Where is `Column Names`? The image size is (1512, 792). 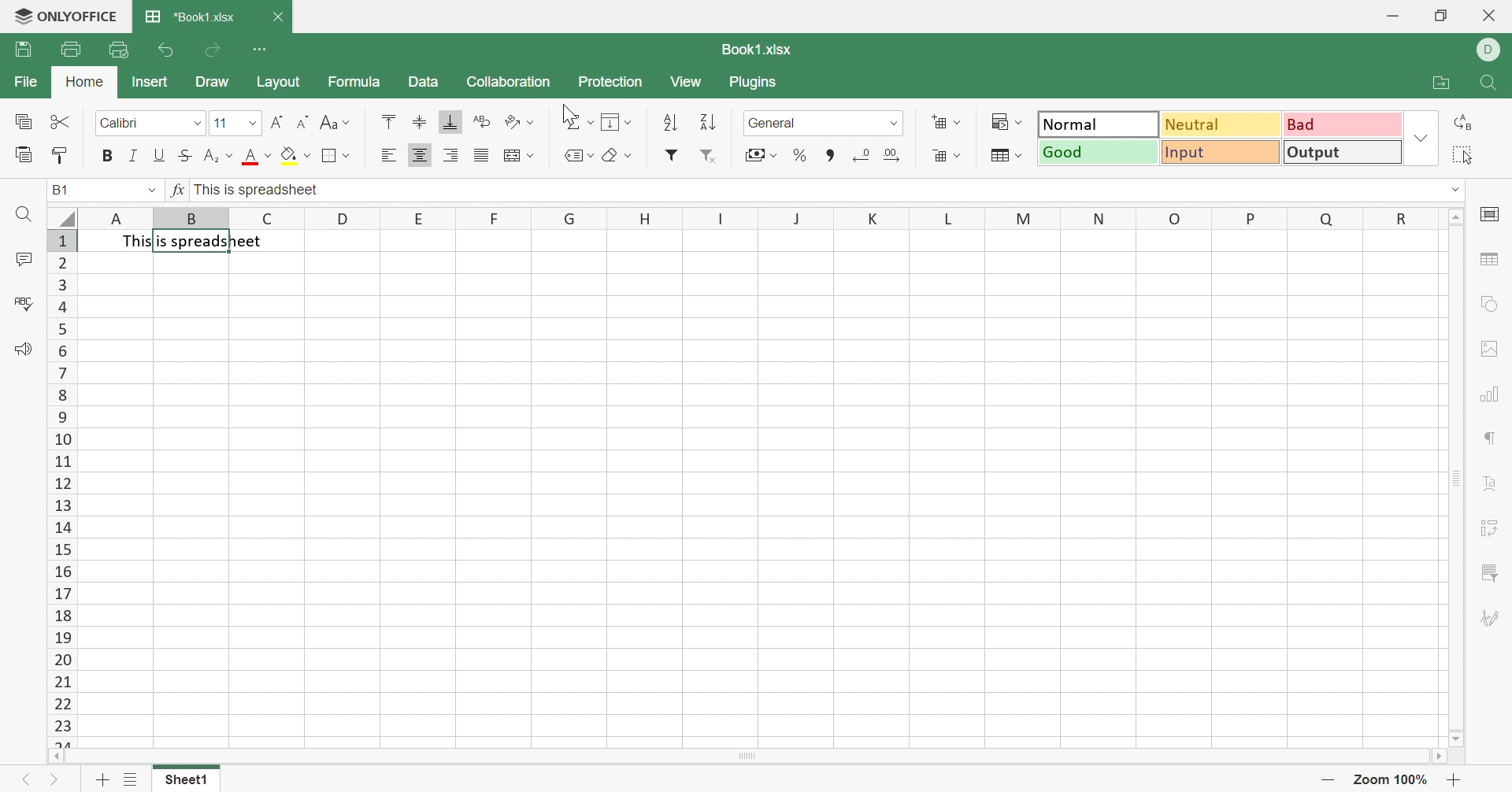 Column Names is located at coordinates (746, 218).